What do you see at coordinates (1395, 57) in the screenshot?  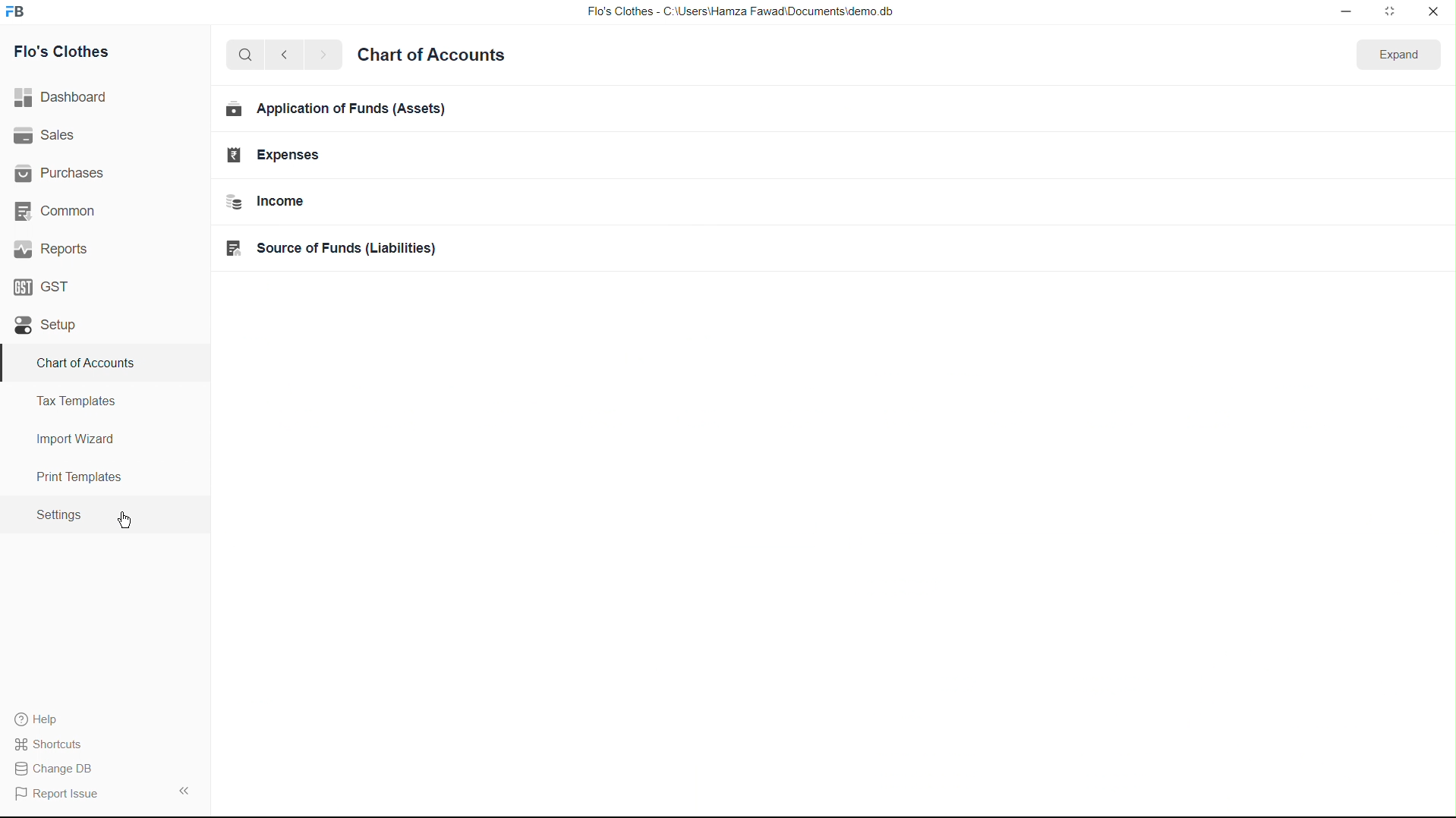 I see `Expand` at bounding box center [1395, 57].